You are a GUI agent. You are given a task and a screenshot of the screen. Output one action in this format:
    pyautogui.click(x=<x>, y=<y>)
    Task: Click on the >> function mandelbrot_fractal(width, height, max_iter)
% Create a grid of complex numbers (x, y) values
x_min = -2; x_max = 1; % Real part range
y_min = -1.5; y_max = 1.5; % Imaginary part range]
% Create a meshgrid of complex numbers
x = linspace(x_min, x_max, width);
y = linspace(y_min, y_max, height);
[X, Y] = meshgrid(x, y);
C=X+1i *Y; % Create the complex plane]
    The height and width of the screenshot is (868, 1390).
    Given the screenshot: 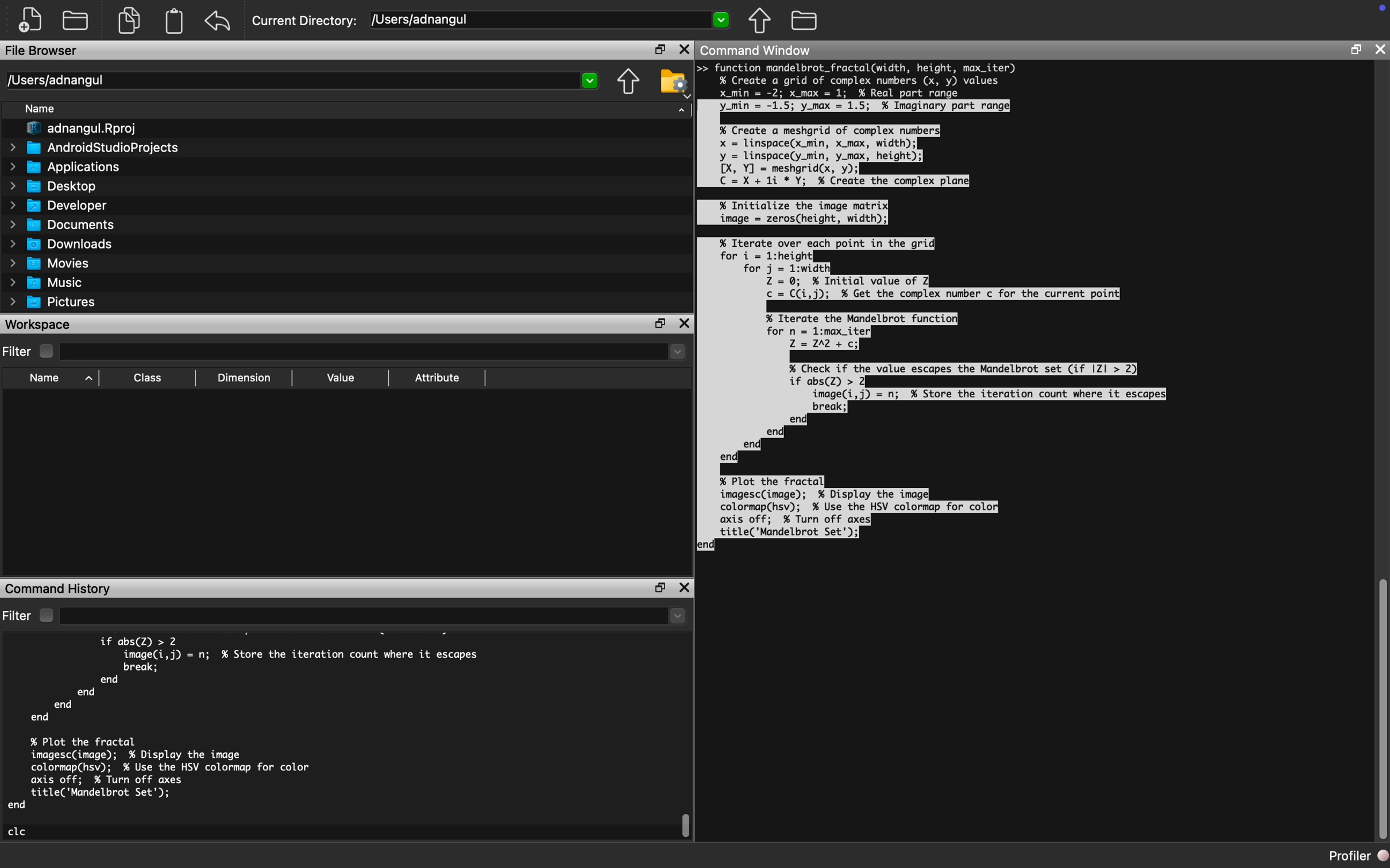 What is the action you would take?
    pyautogui.click(x=864, y=126)
    